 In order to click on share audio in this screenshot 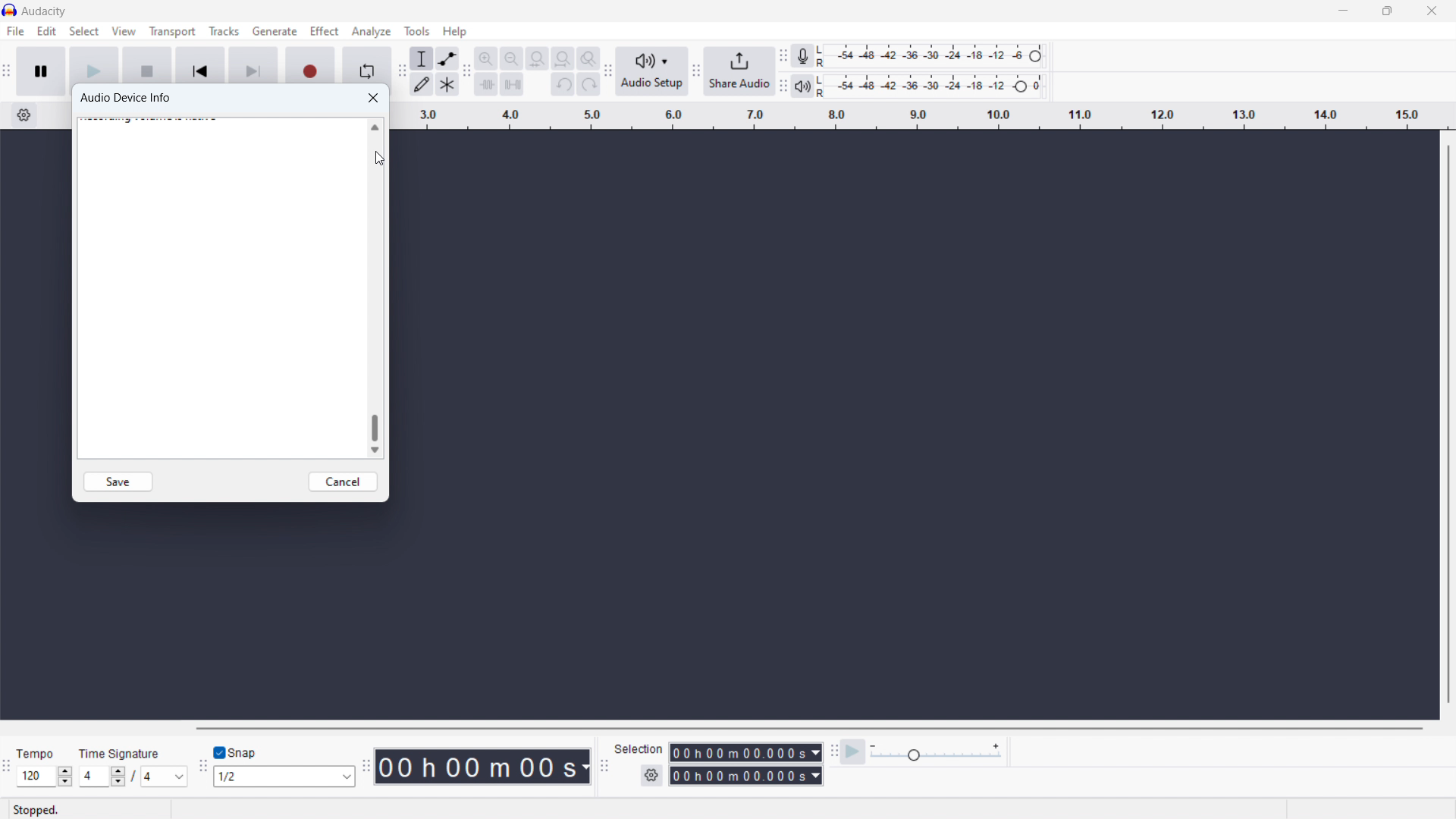, I will do `click(739, 72)`.